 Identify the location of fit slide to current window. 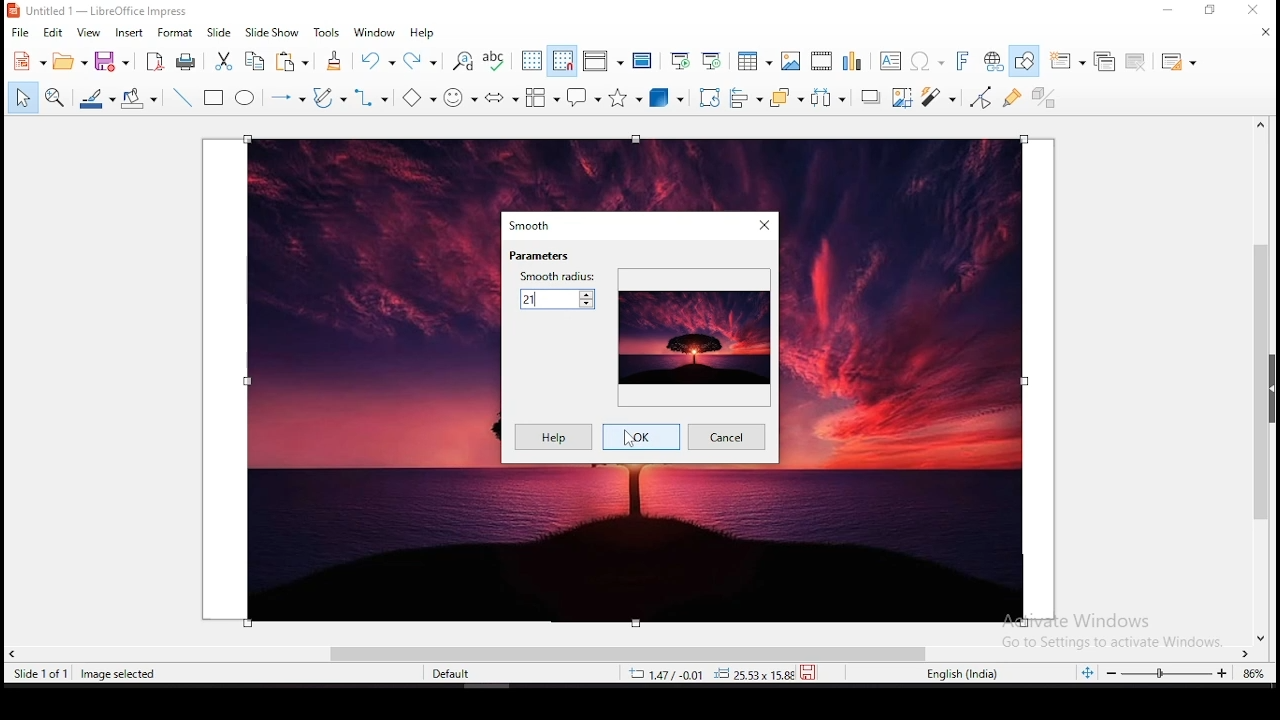
(1090, 673).